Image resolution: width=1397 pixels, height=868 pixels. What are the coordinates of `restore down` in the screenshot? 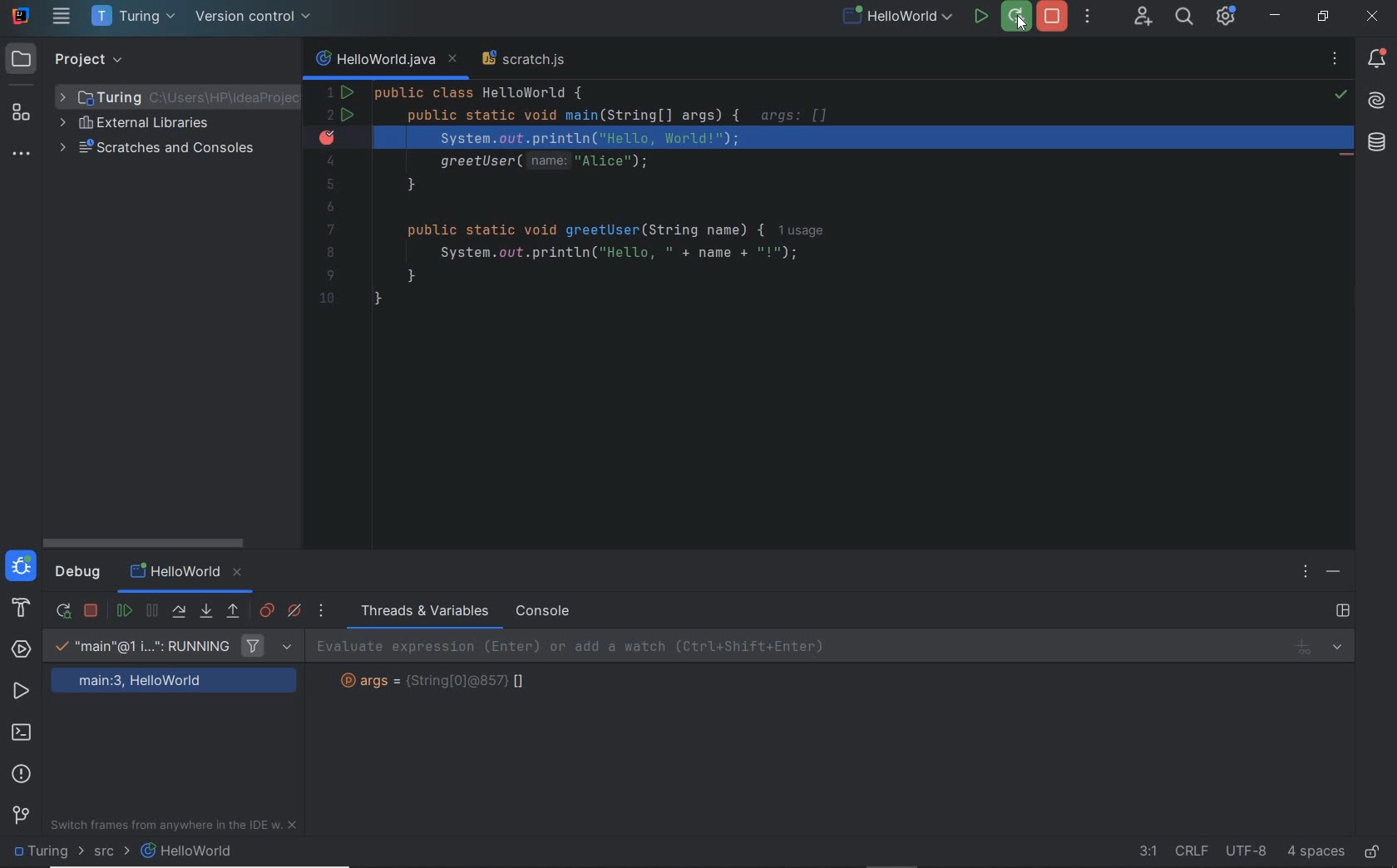 It's located at (1323, 18).